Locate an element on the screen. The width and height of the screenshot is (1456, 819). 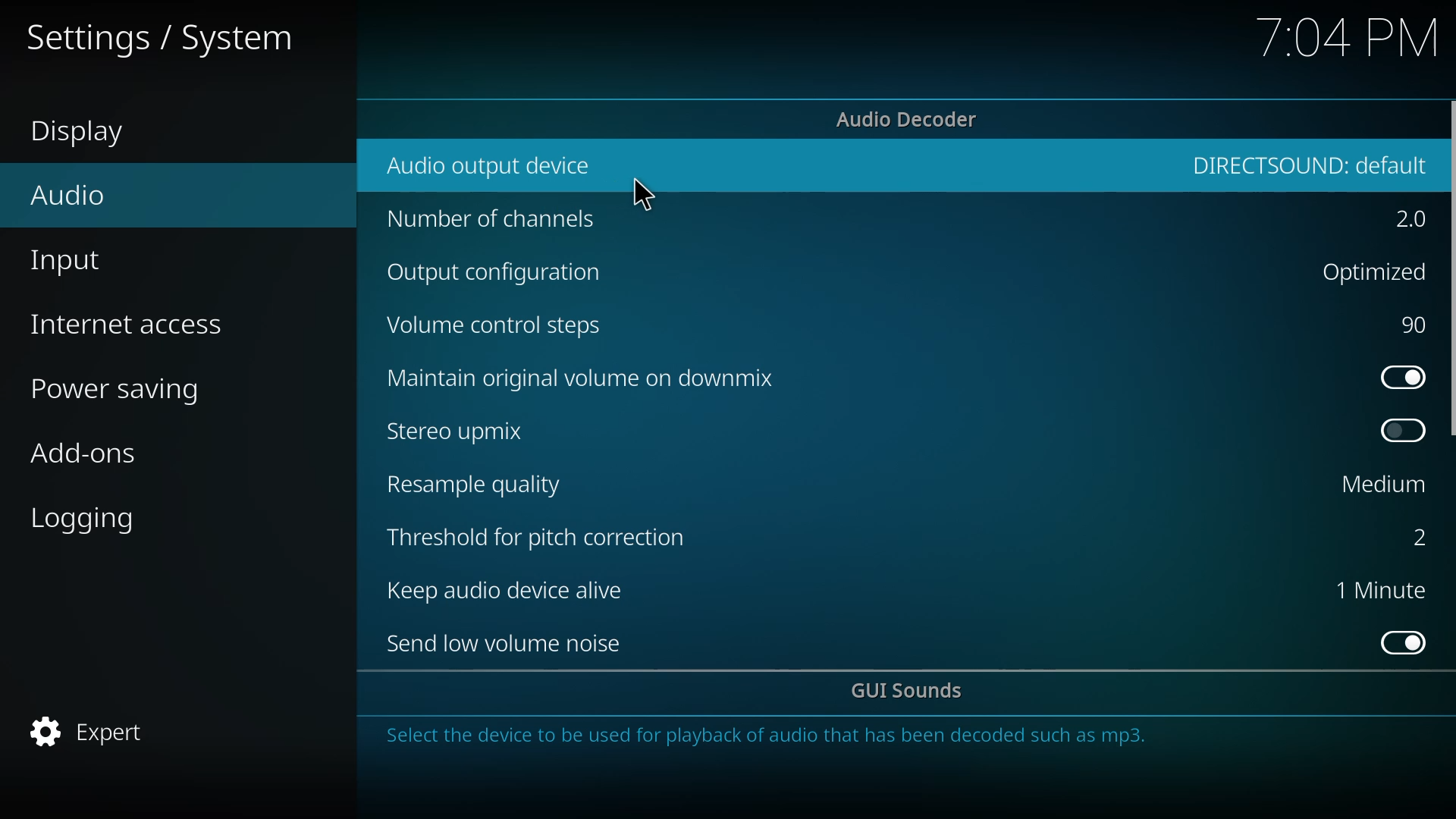
info is located at coordinates (770, 740).